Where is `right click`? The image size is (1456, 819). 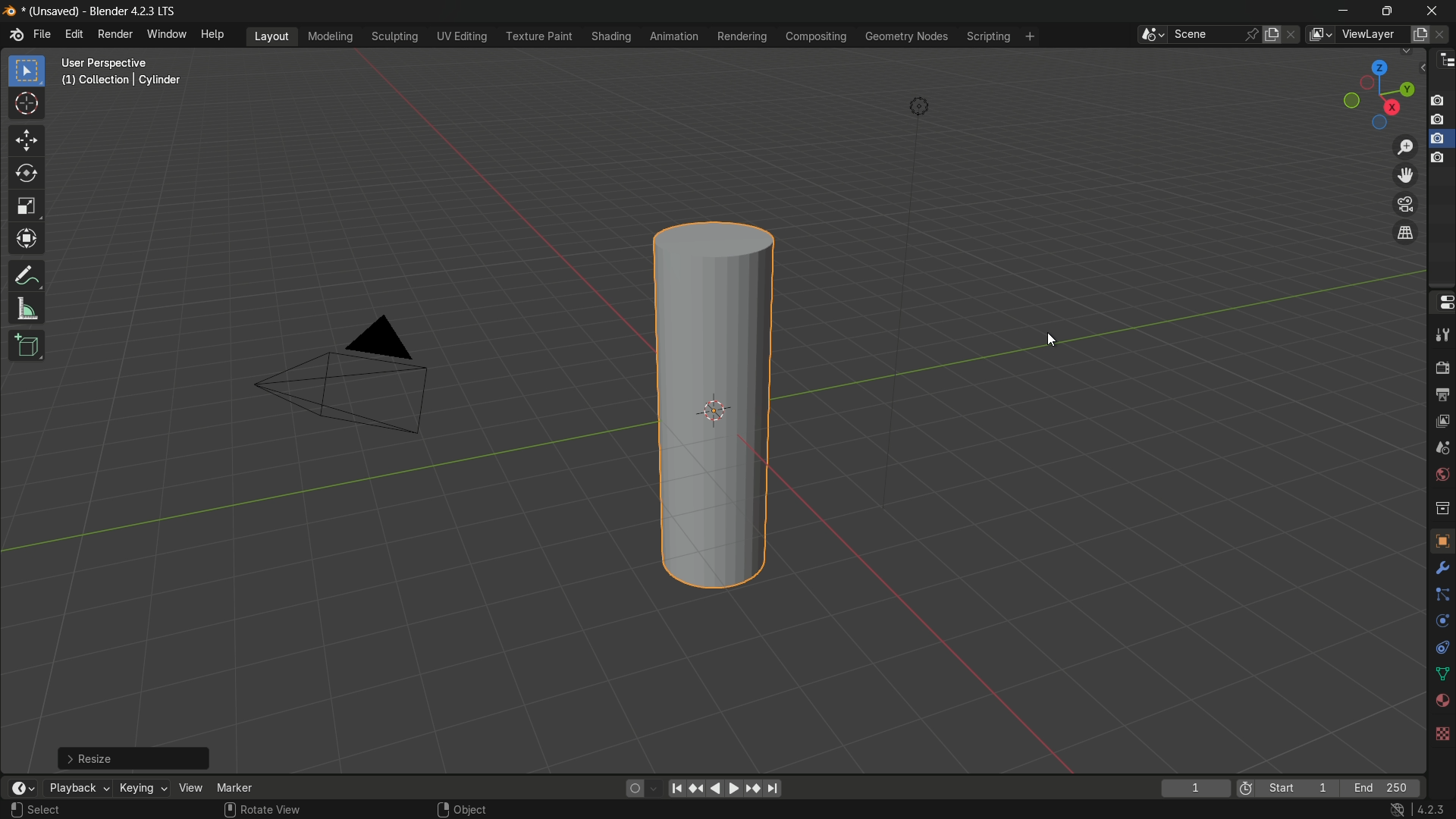 right click is located at coordinates (441, 809).